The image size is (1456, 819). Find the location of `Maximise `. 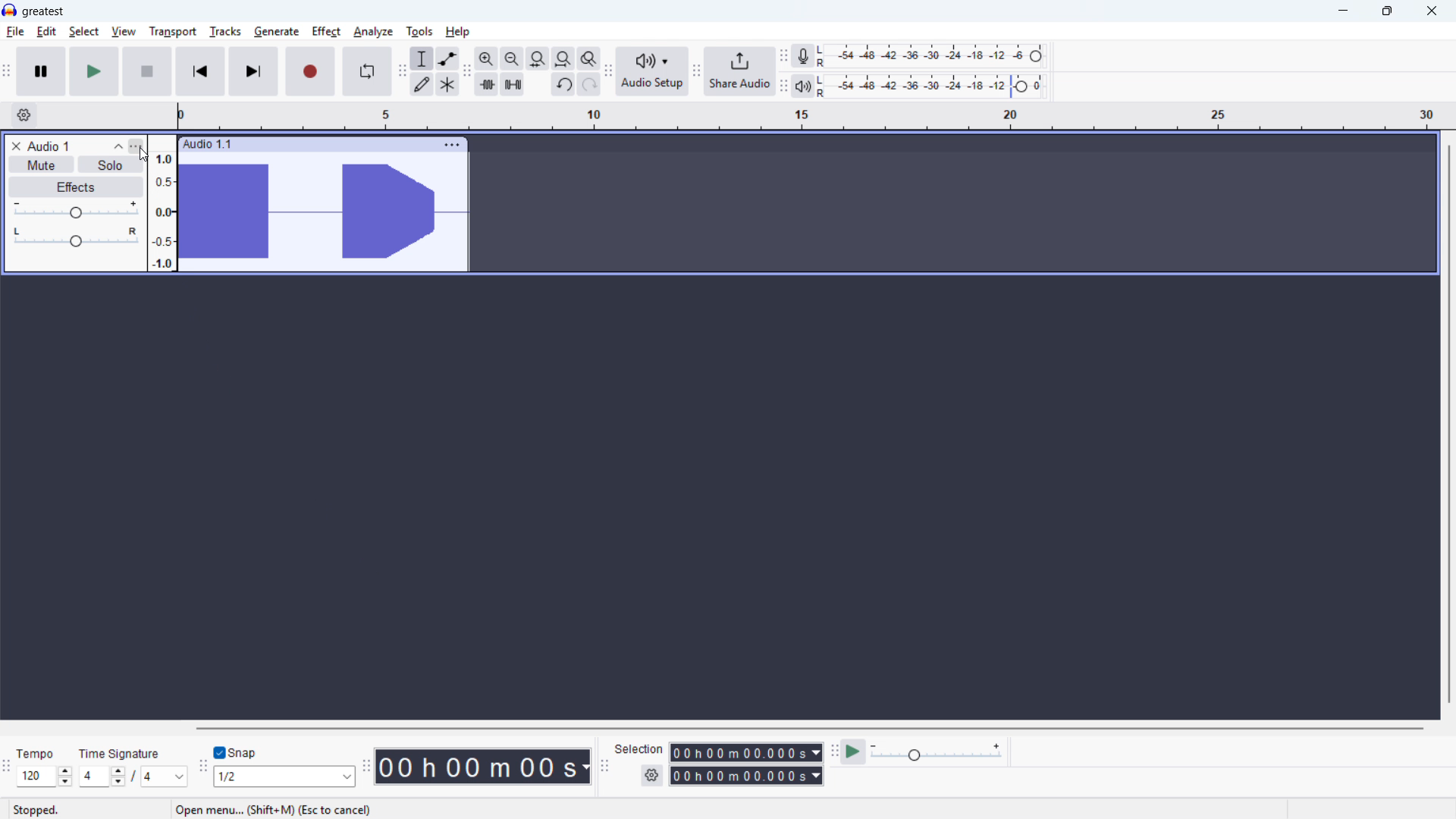

Maximise  is located at coordinates (1386, 11).